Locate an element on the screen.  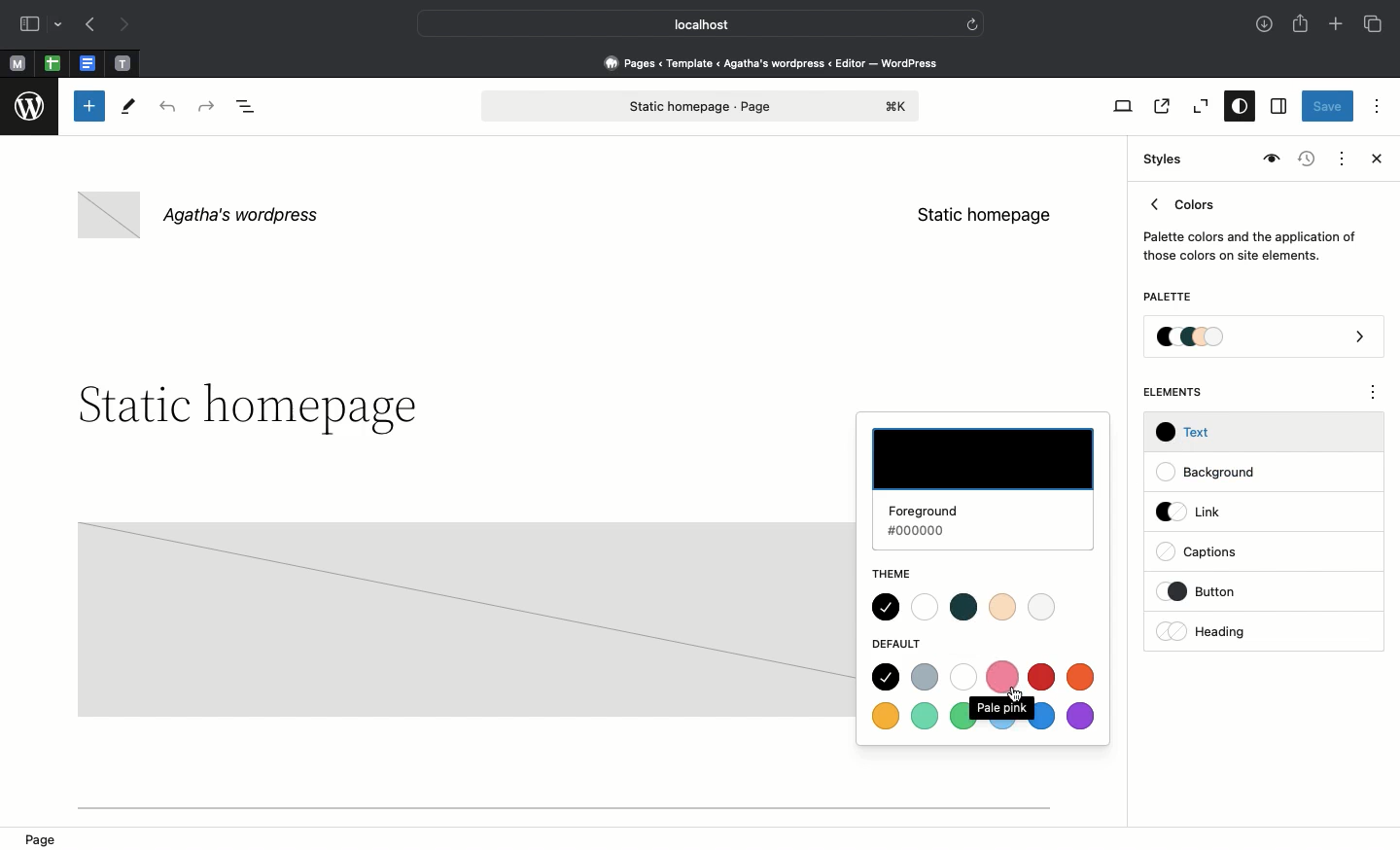
drop-down is located at coordinates (61, 25).